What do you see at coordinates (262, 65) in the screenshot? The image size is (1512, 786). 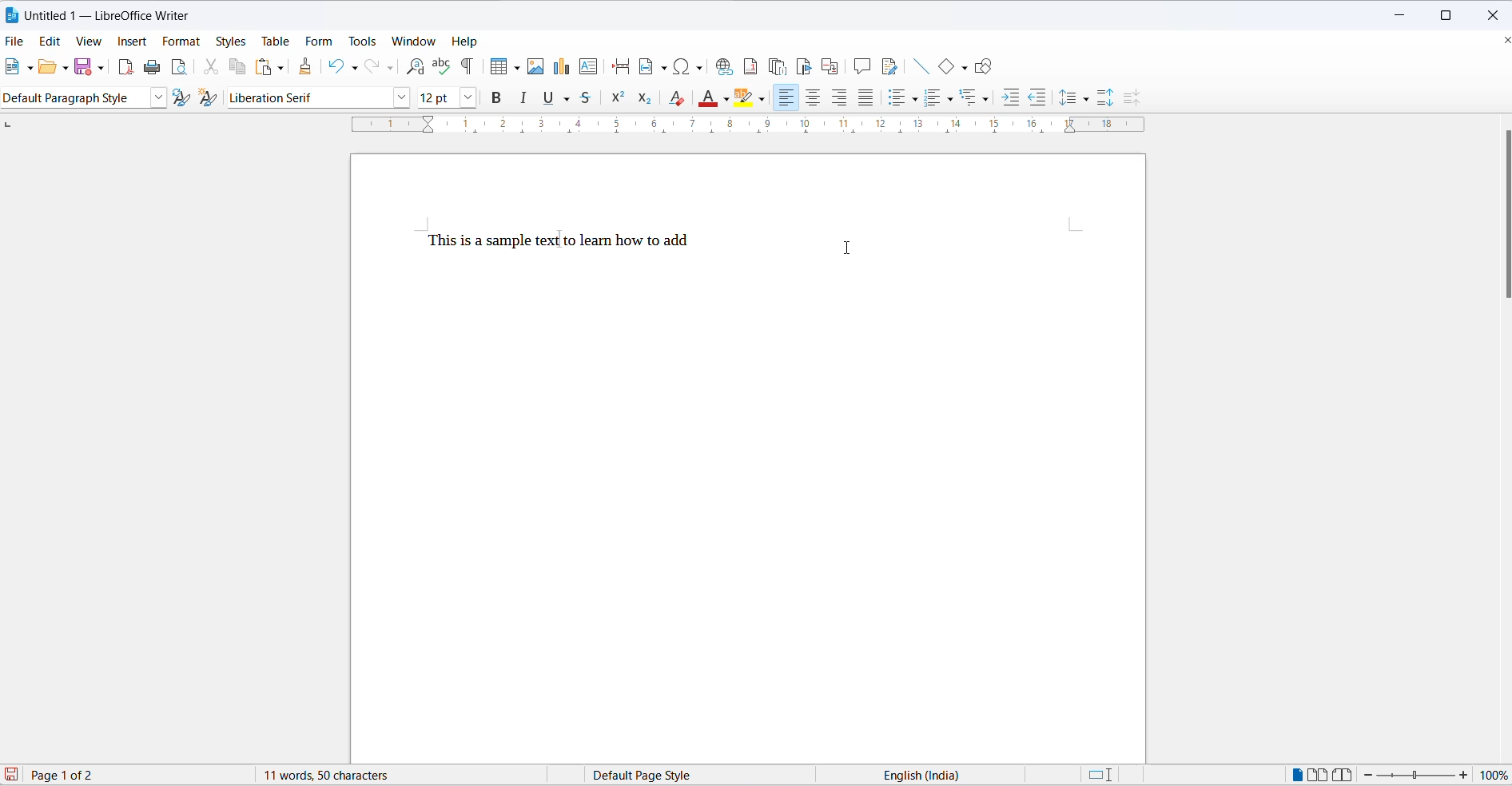 I see `paste` at bounding box center [262, 65].